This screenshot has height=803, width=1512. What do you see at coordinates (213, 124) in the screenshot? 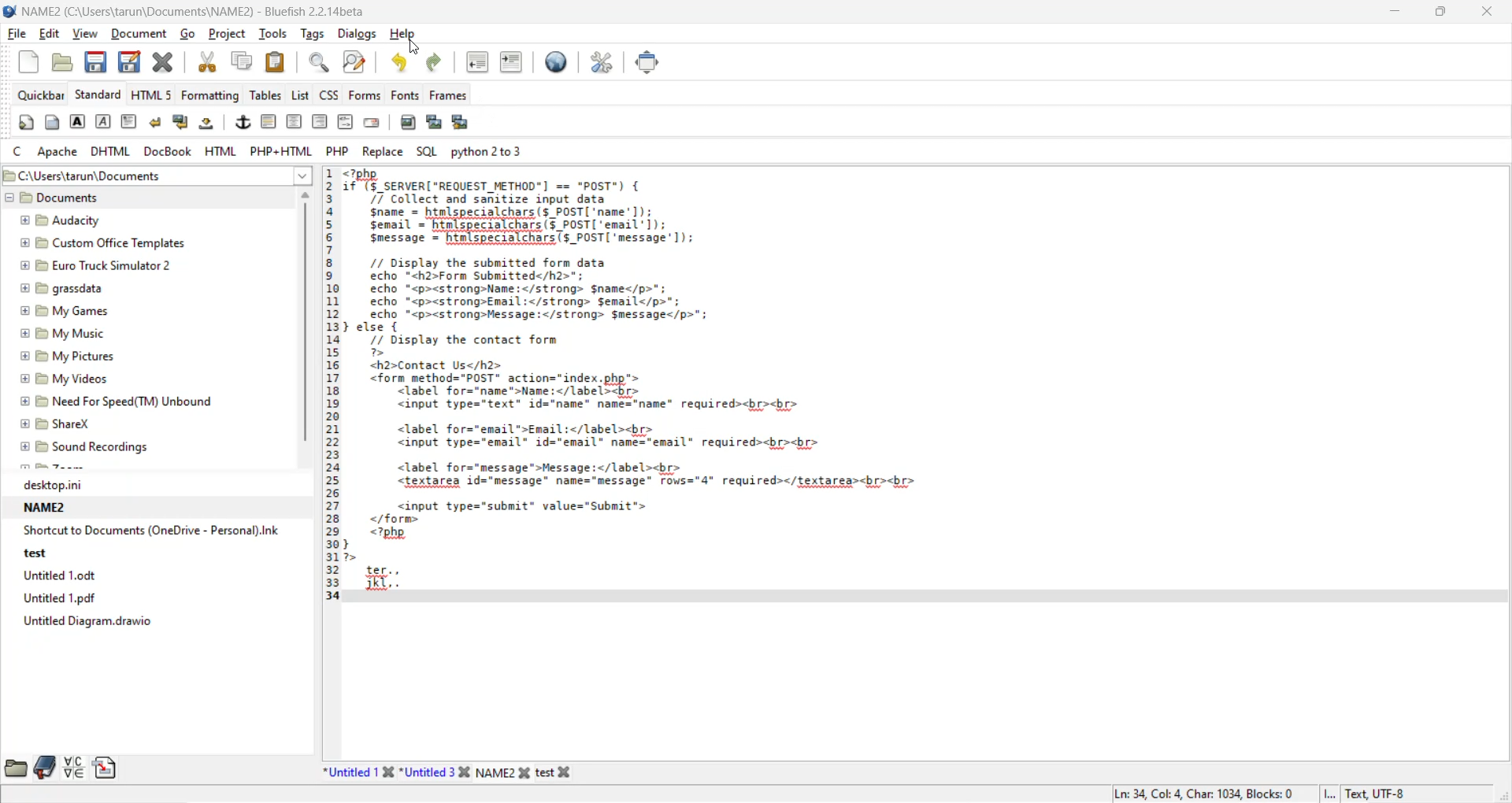
I see `non breaking space` at bounding box center [213, 124].